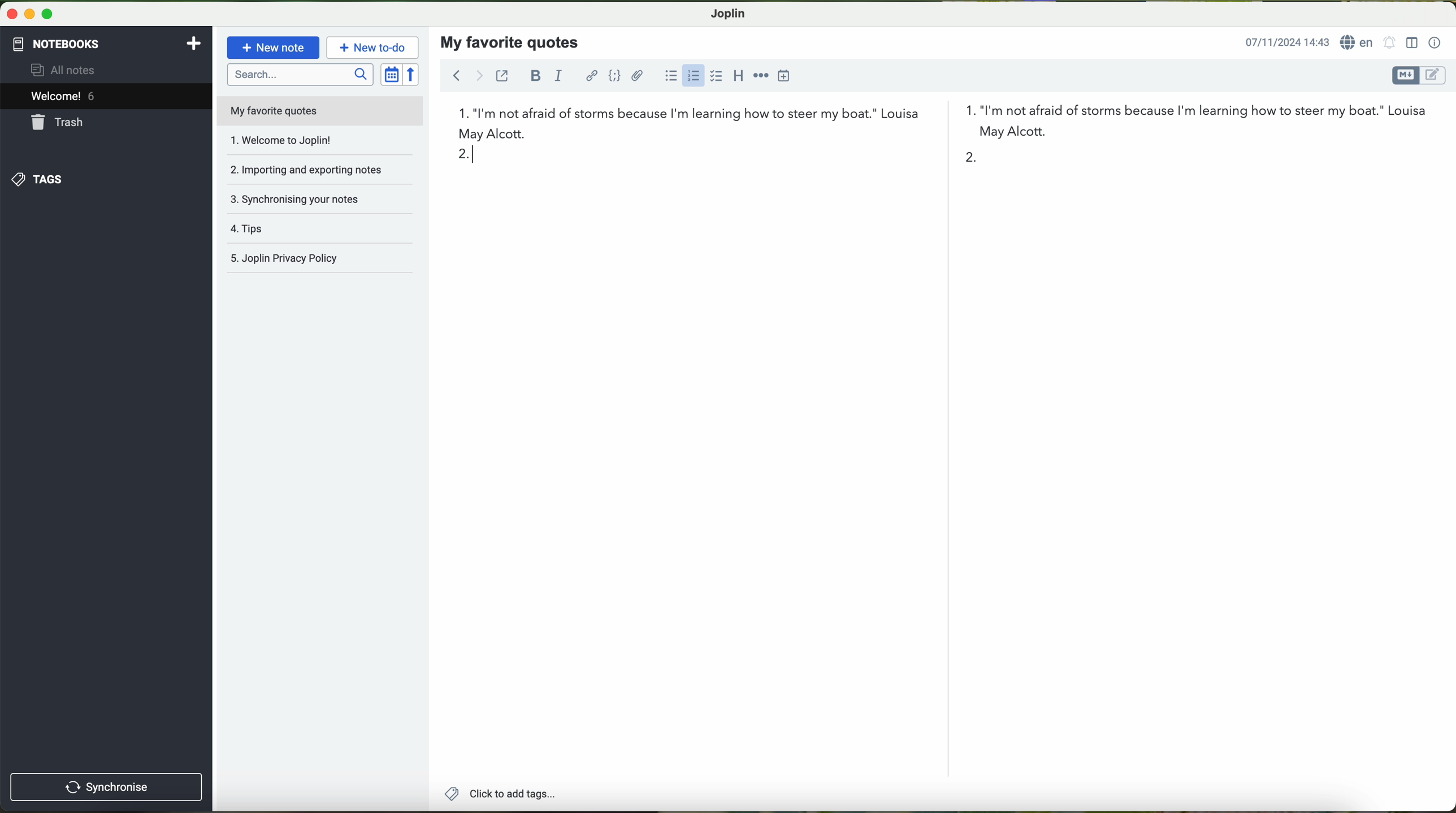 This screenshot has height=813, width=1456. I want to click on new note button, so click(274, 47).